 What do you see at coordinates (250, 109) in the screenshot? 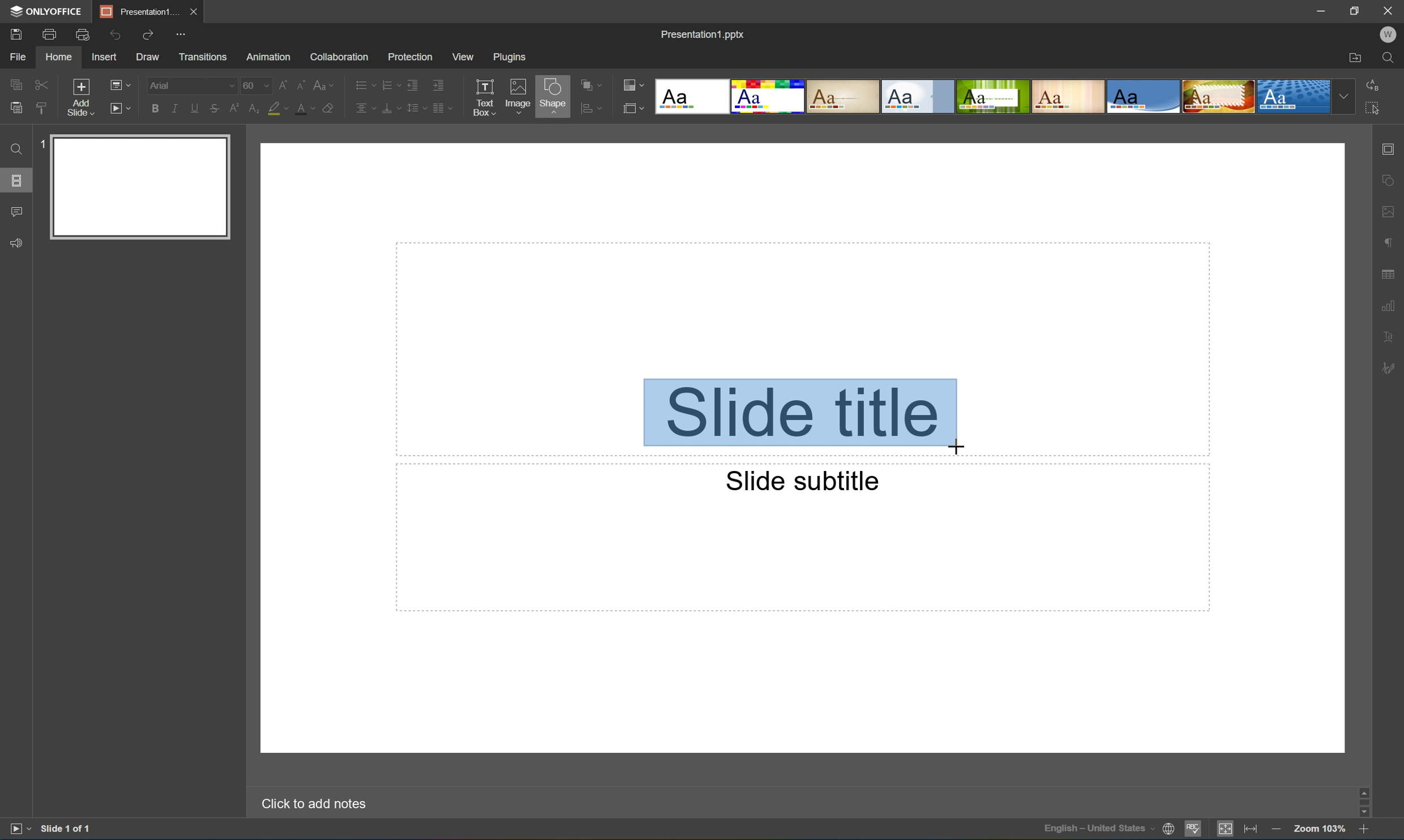
I see `Subscript` at bounding box center [250, 109].